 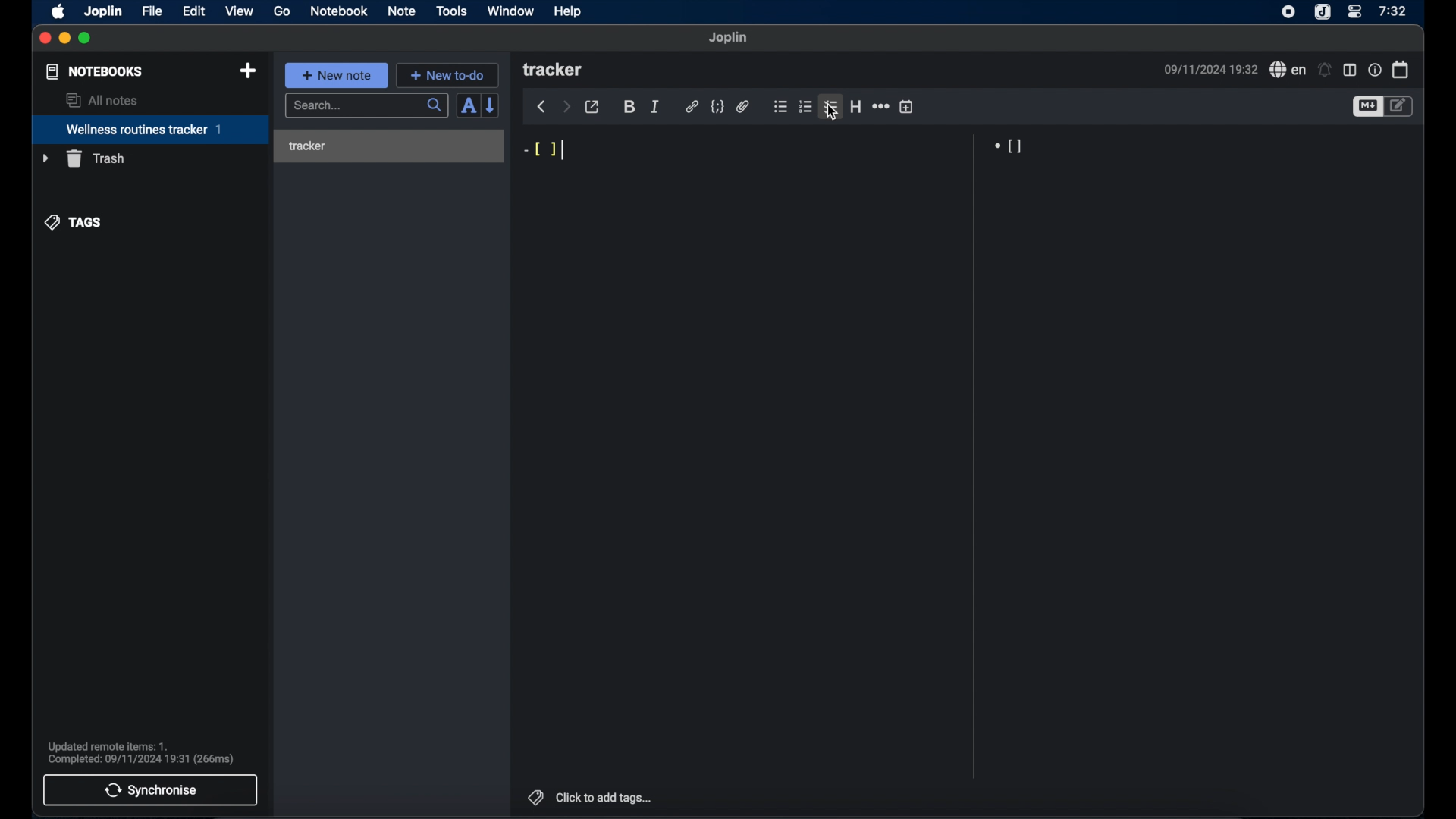 What do you see at coordinates (1285, 69) in the screenshot?
I see `spell check` at bounding box center [1285, 69].